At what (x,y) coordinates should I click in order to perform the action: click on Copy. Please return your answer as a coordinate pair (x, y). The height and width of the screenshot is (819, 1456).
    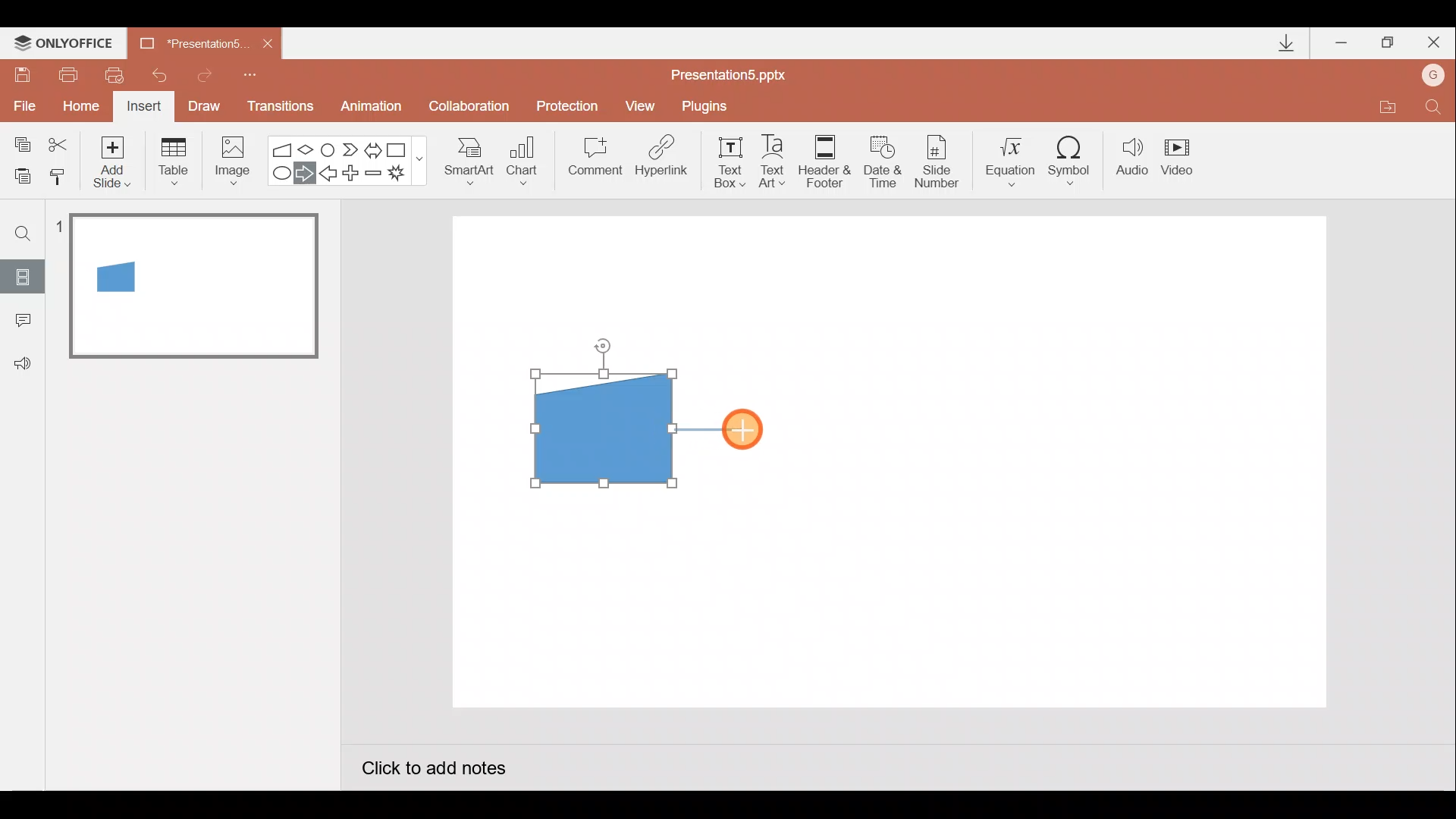
    Looking at the image, I should click on (20, 142).